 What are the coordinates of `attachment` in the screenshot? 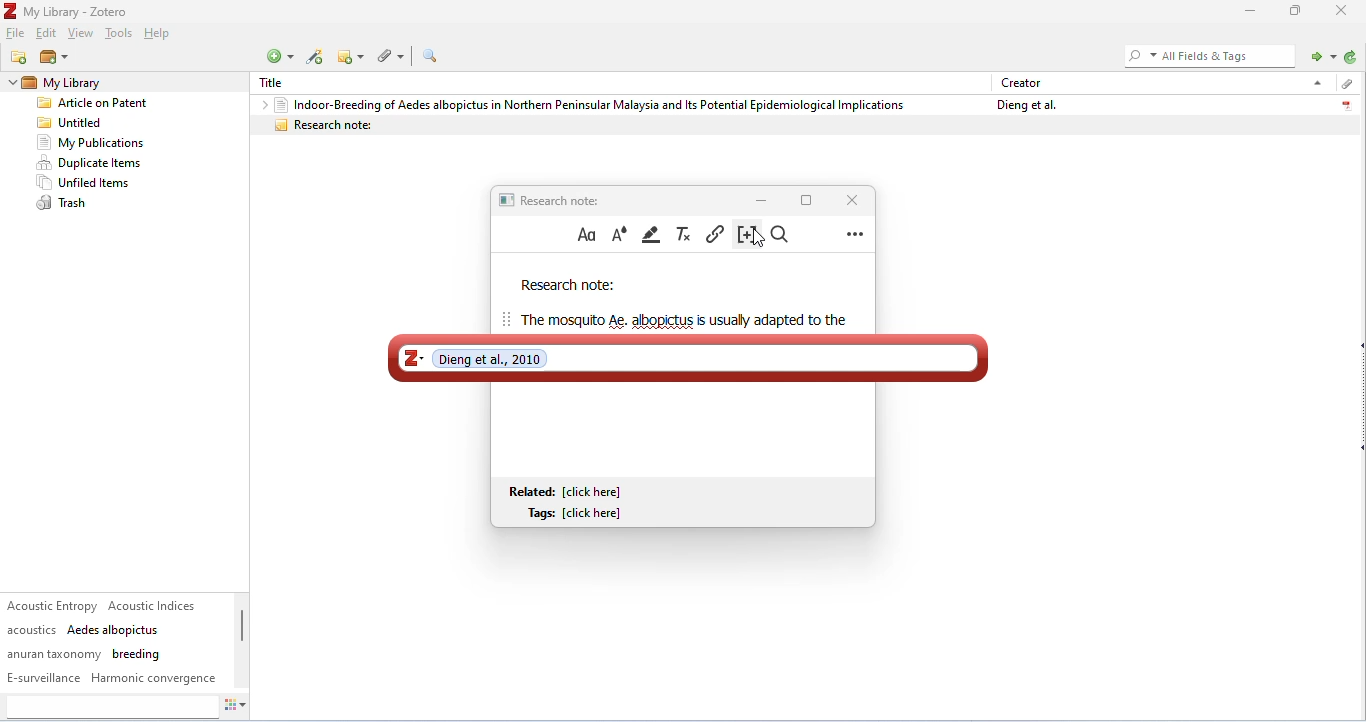 It's located at (394, 55).